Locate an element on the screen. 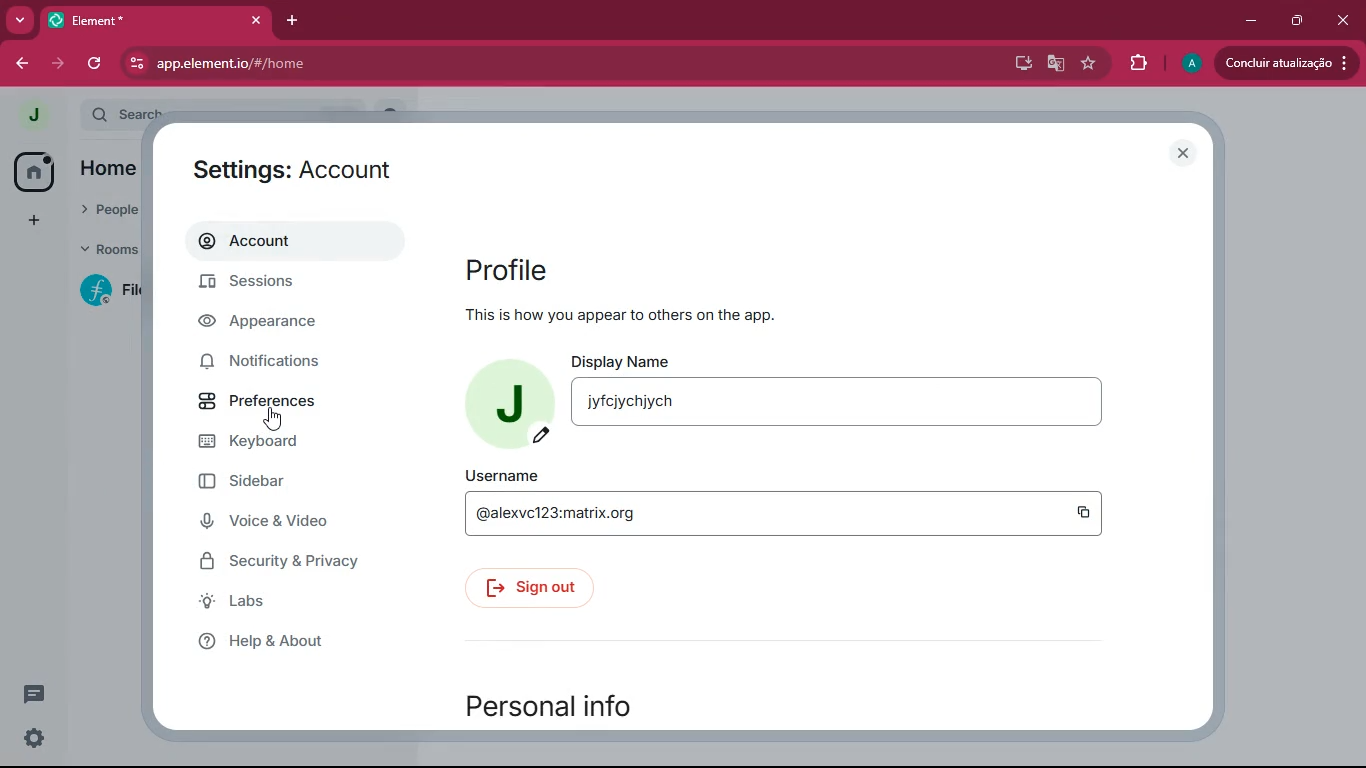  help  is located at coordinates (283, 642).